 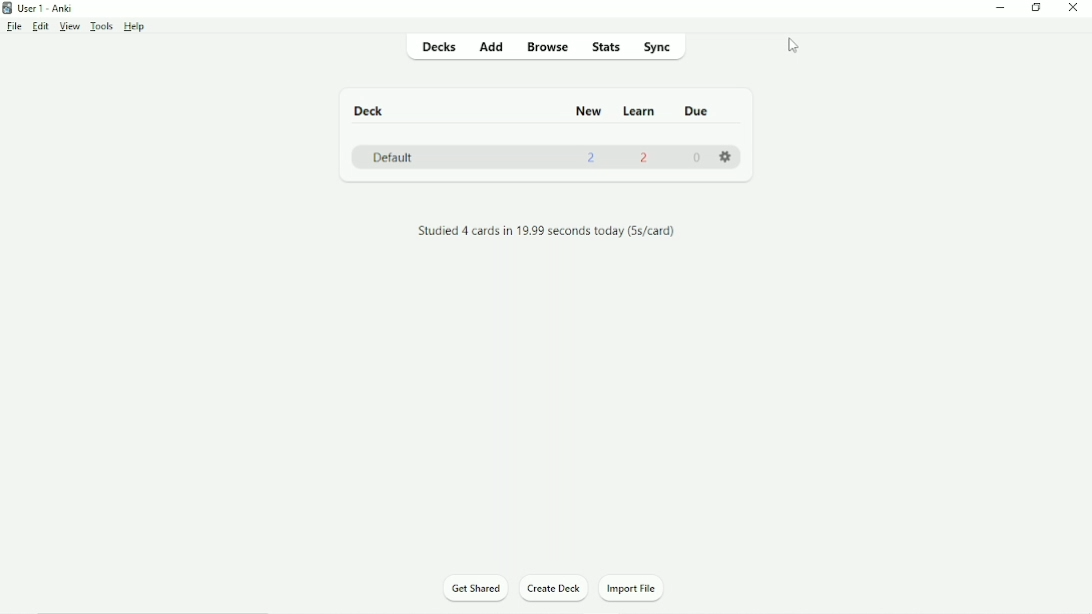 I want to click on Edit, so click(x=41, y=26).